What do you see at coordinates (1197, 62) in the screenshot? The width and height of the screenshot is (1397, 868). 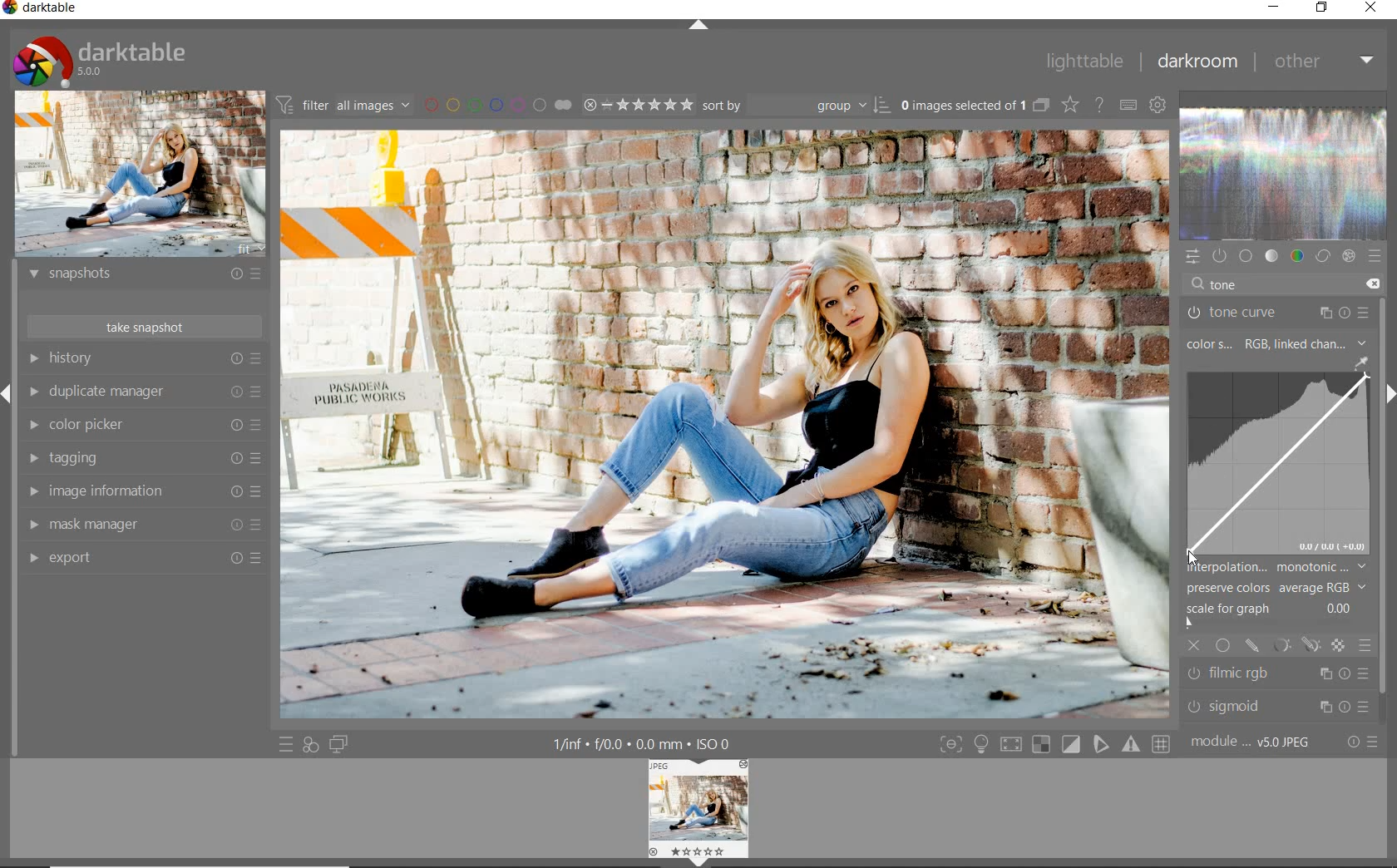 I see `darkroom` at bounding box center [1197, 62].